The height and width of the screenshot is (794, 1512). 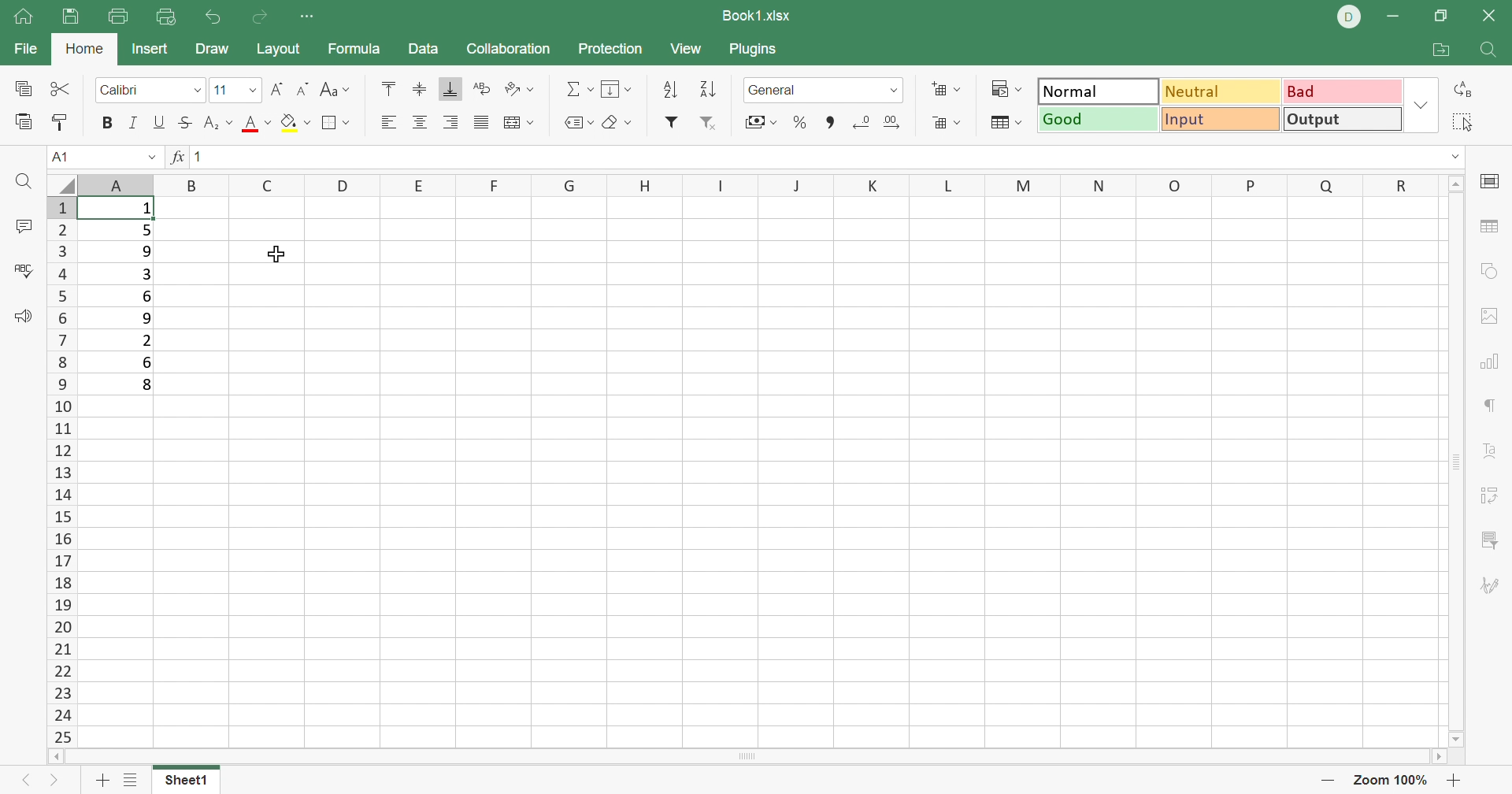 I want to click on Replace, so click(x=1463, y=87).